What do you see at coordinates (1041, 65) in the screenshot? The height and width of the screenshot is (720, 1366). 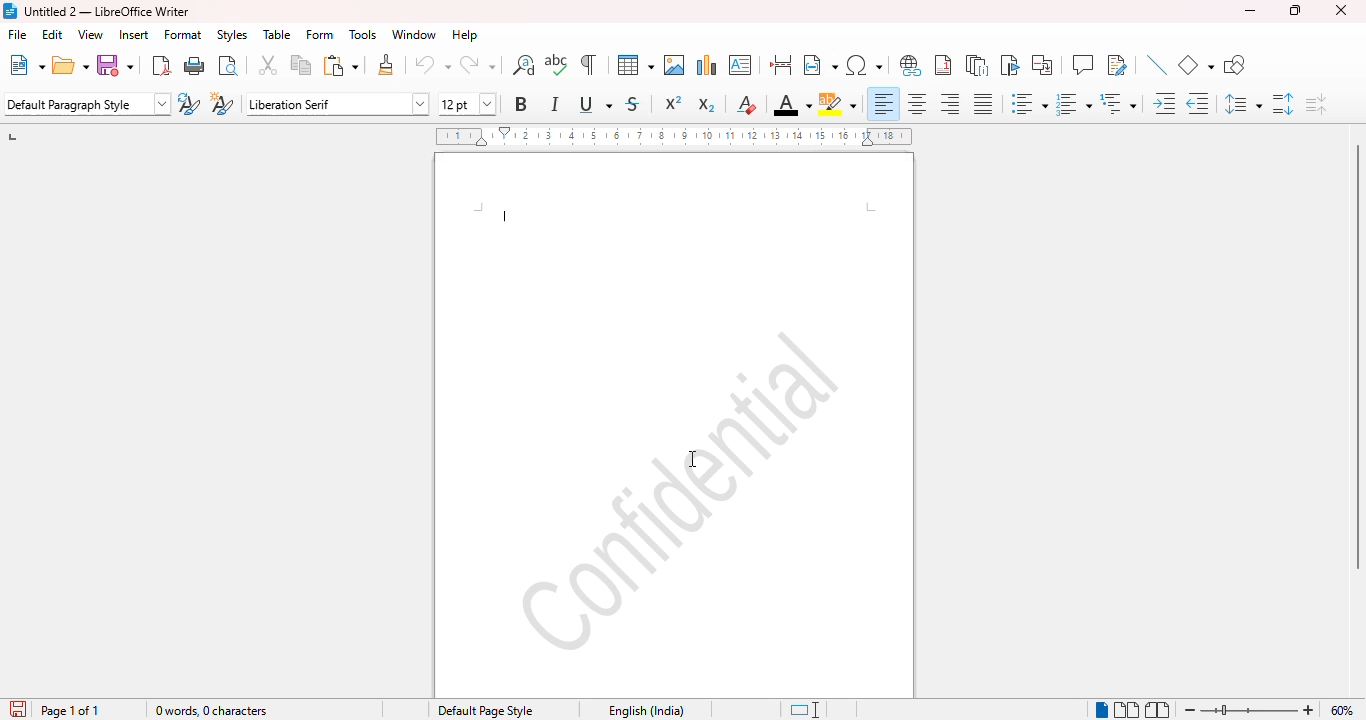 I see `insert cross-reference` at bounding box center [1041, 65].